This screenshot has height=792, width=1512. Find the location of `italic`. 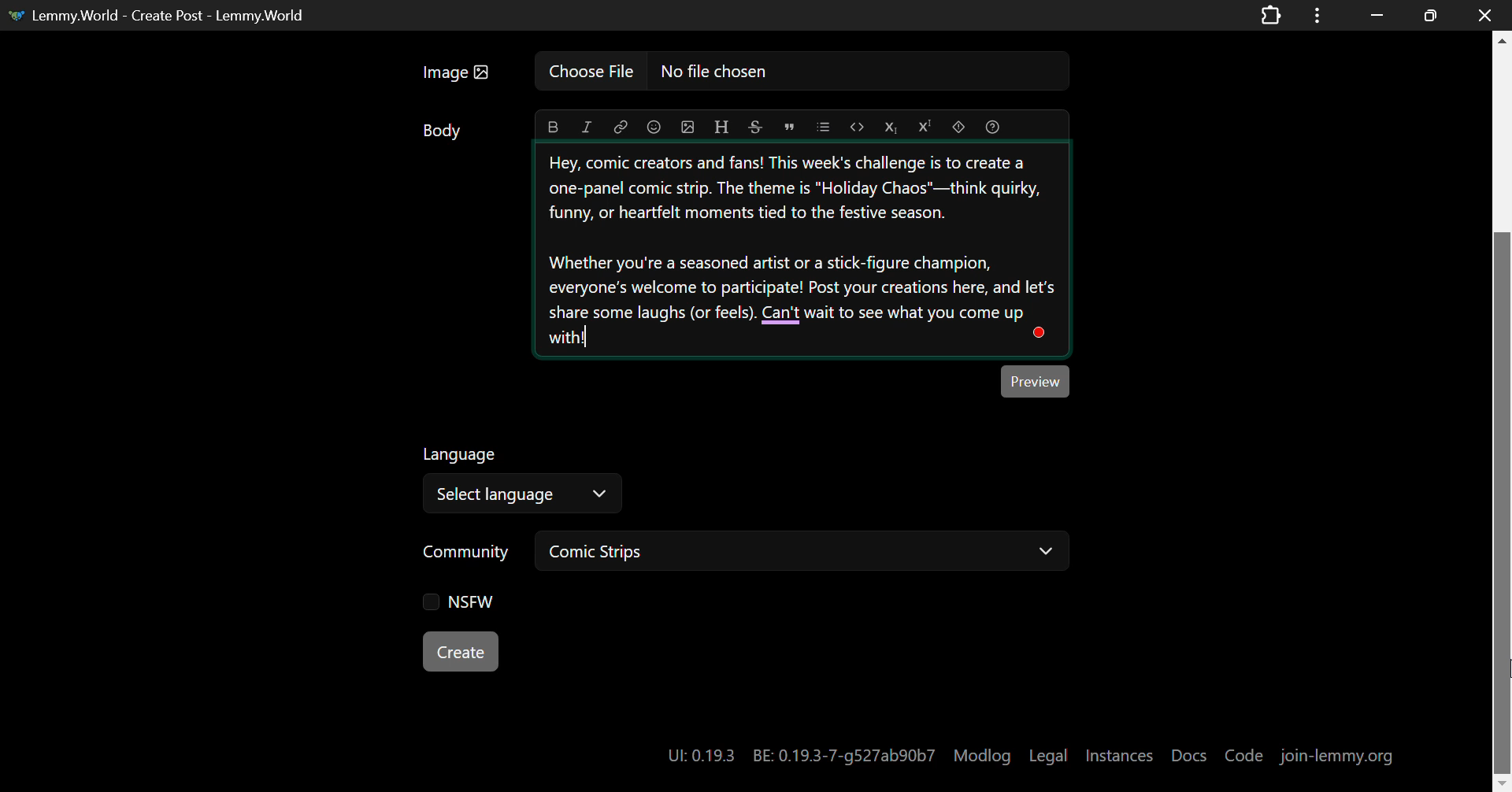

italic is located at coordinates (587, 128).